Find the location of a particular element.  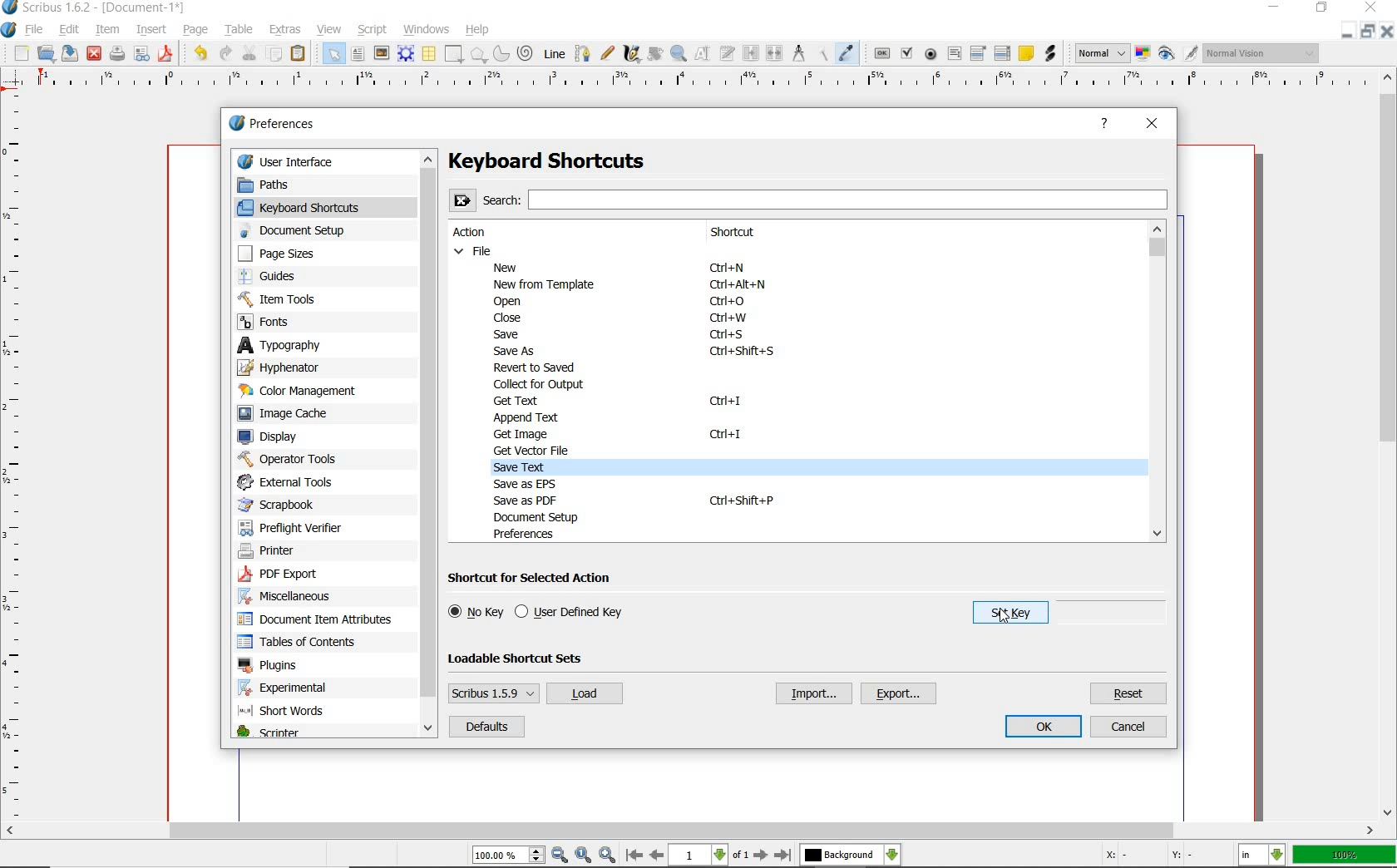

new is located at coordinates (511, 267).